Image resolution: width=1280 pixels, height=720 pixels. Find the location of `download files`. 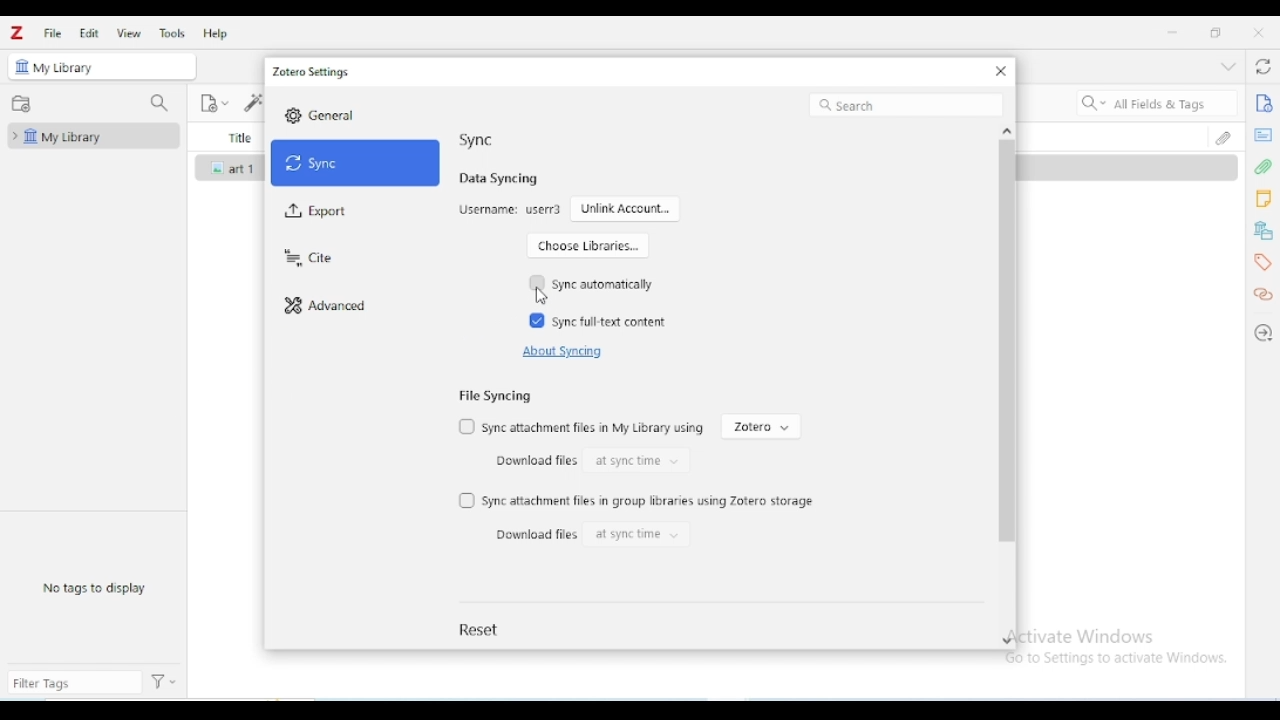

download files is located at coordinates (536, 534).